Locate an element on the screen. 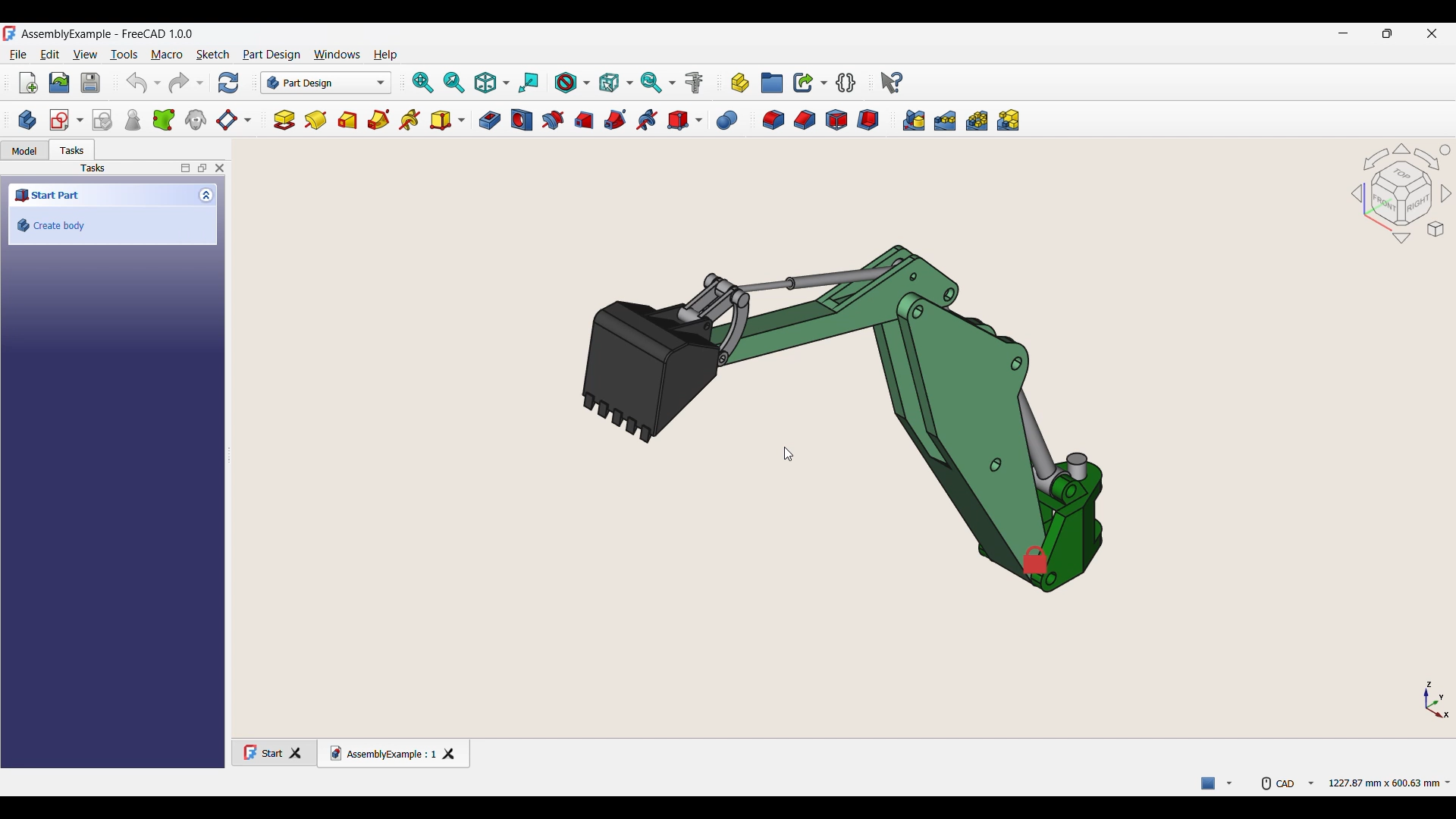  Canvas navigation is located at coordinates (1401, 193).